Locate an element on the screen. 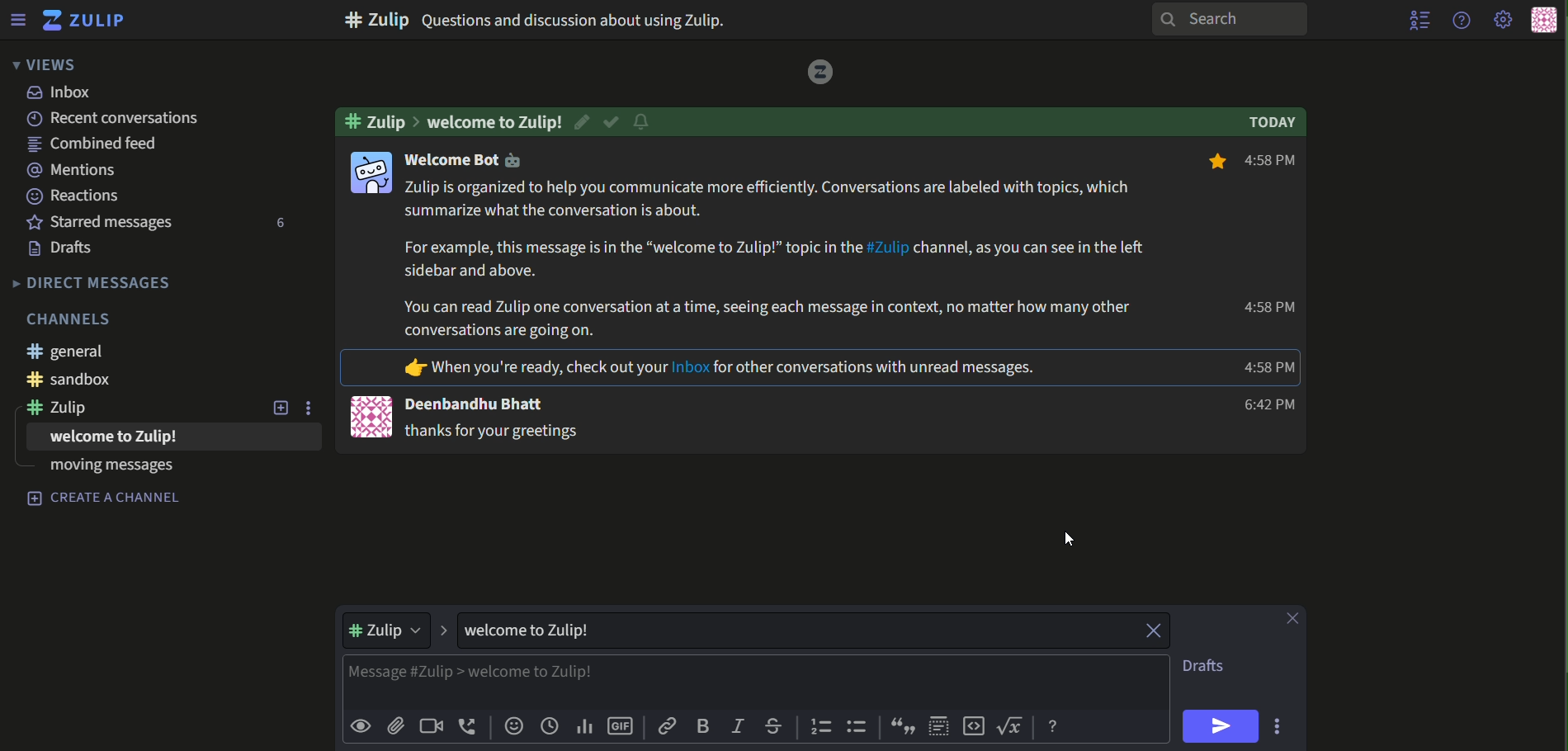  icon is located at coordinates (367, 415).